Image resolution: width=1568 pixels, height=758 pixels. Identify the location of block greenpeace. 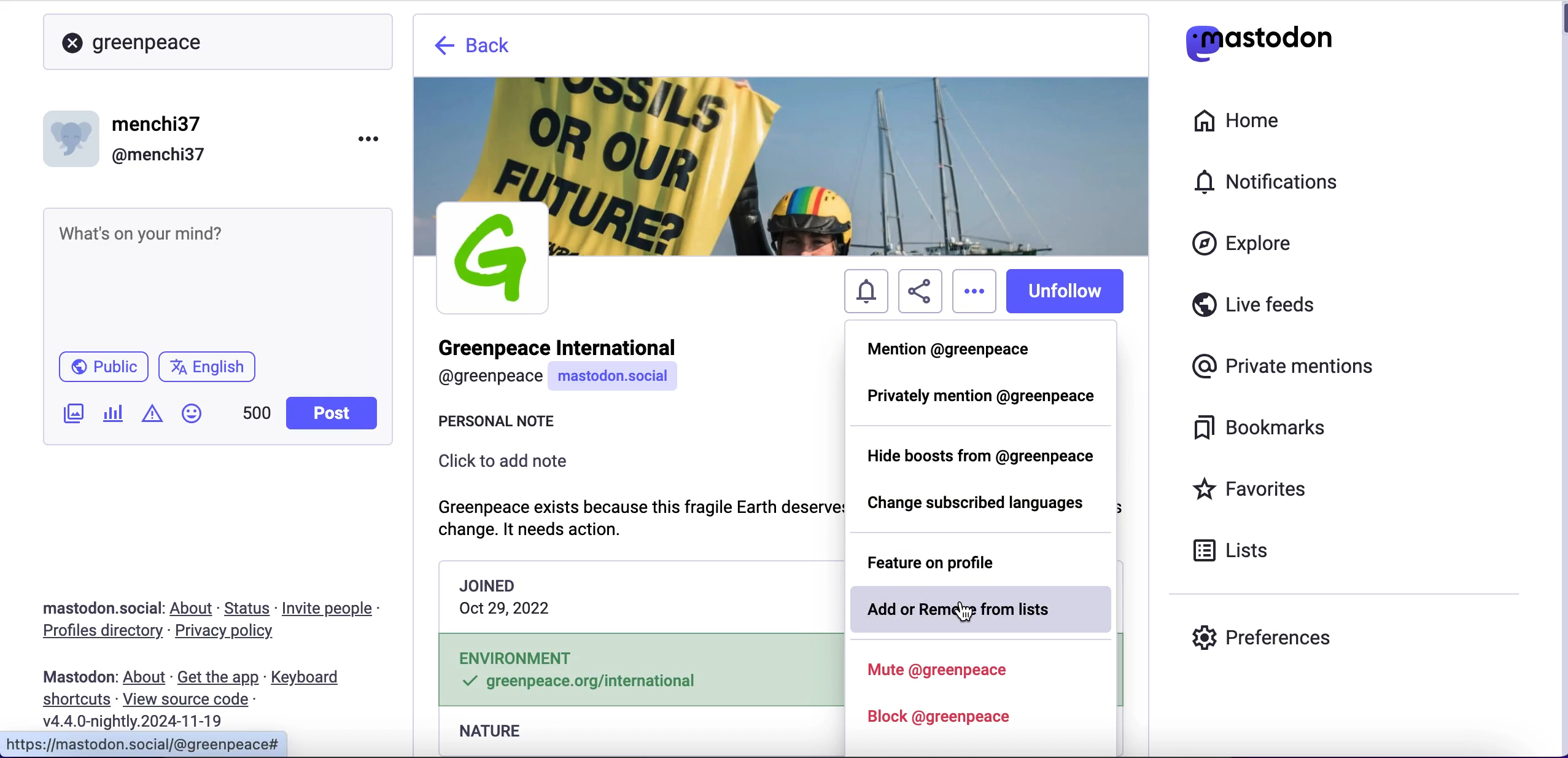
(943, 716).